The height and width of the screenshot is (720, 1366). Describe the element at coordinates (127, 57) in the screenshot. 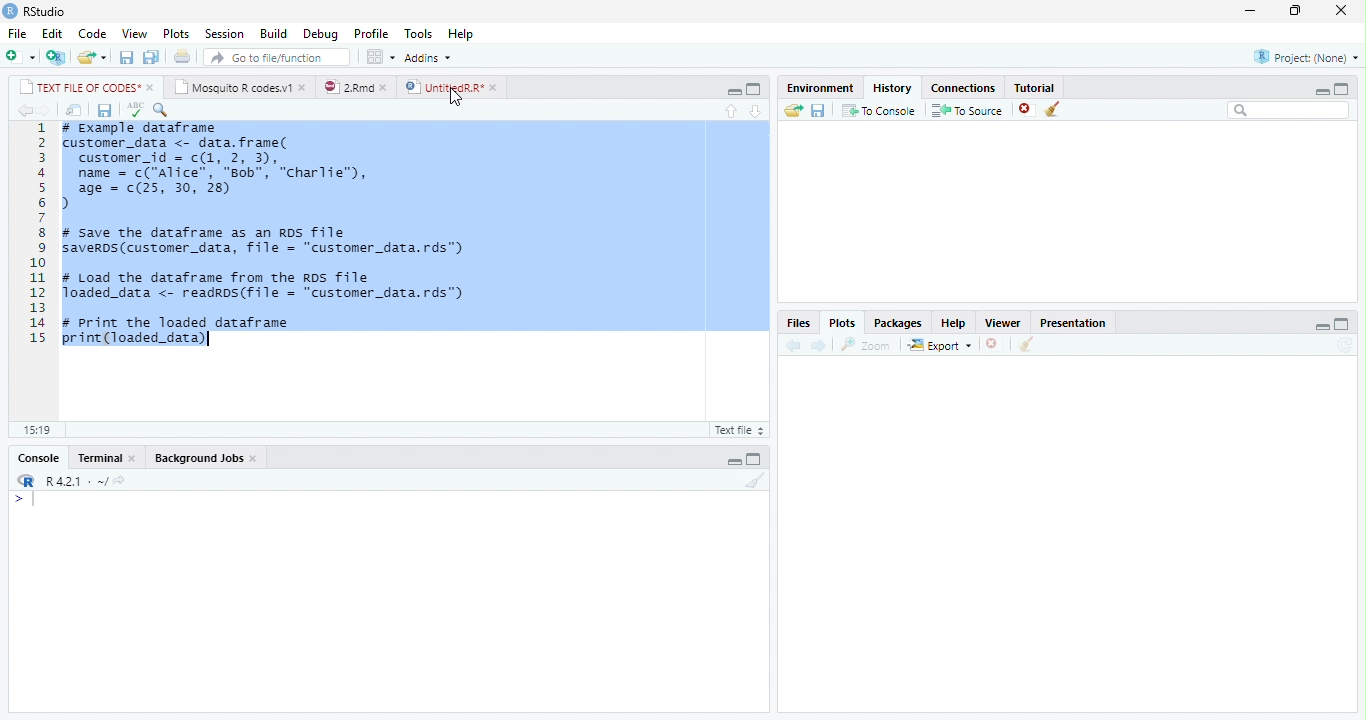

I see `save` at that location.